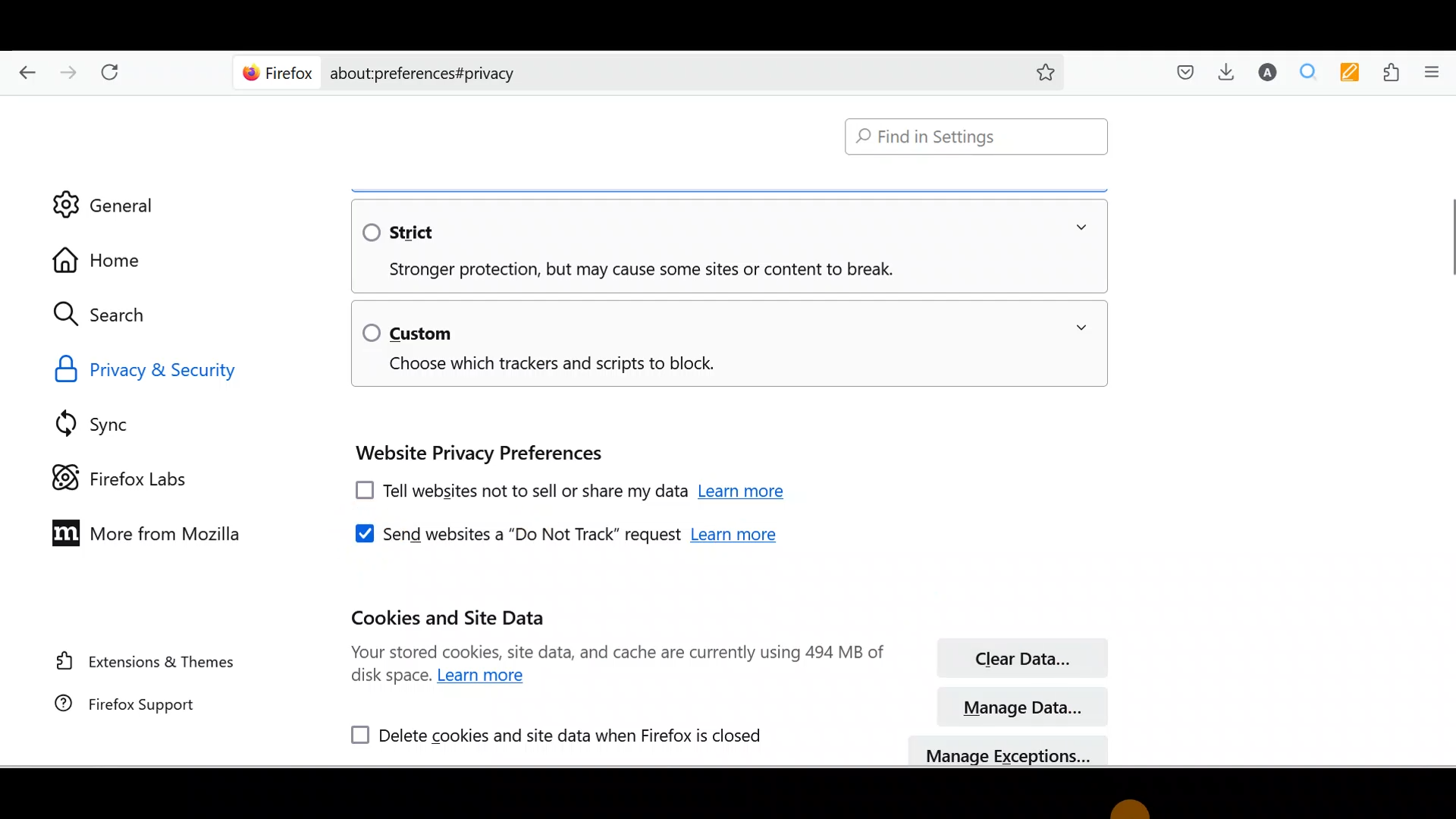 This screenshot has height=819, width=1456. What do you see at coordinates (1025, 706) in the screenshot?
I see `Manage data` at bounding box center [1025, 706].